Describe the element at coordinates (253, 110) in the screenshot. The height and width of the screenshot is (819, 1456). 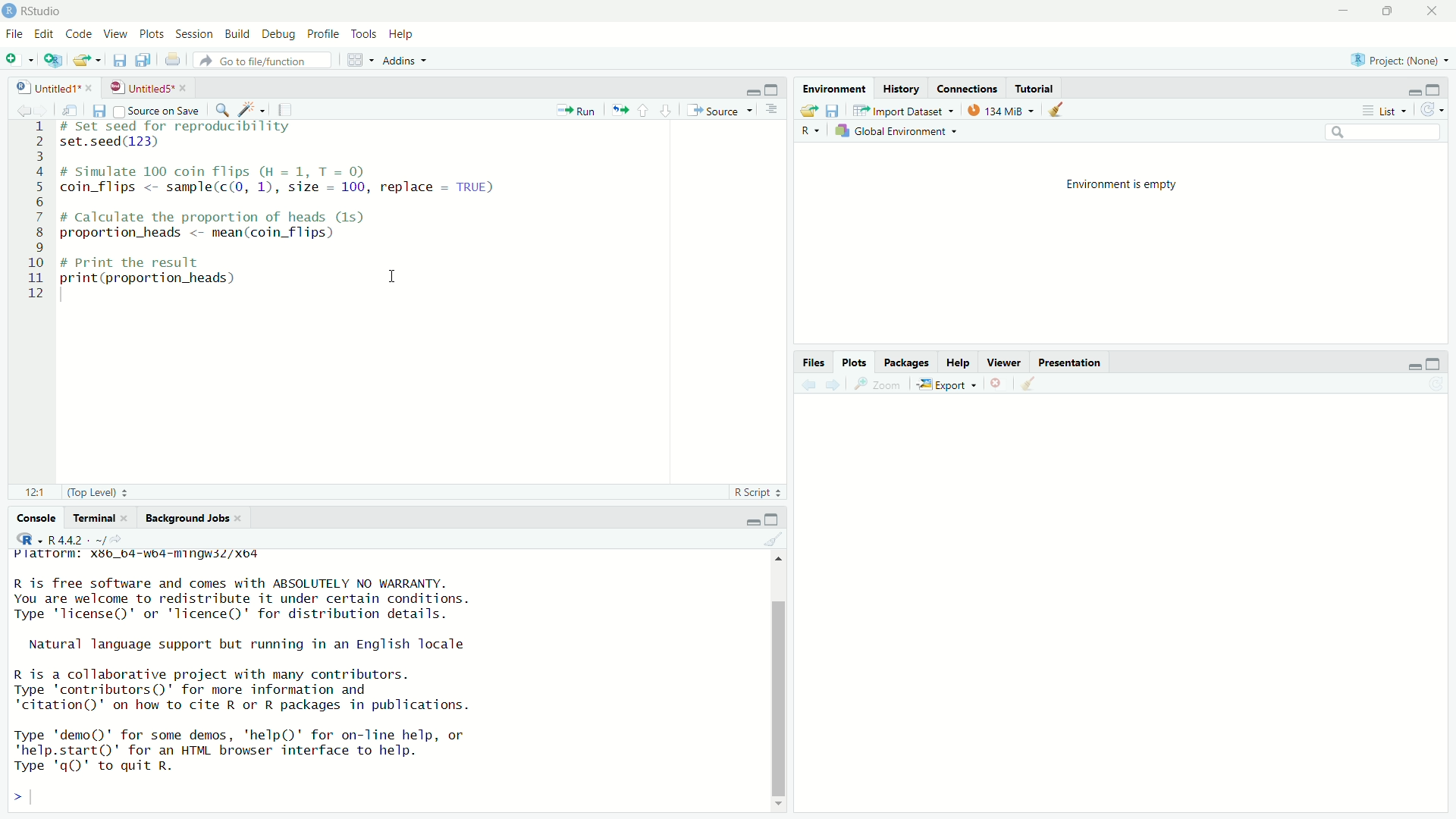
I see `code tools` at that location.